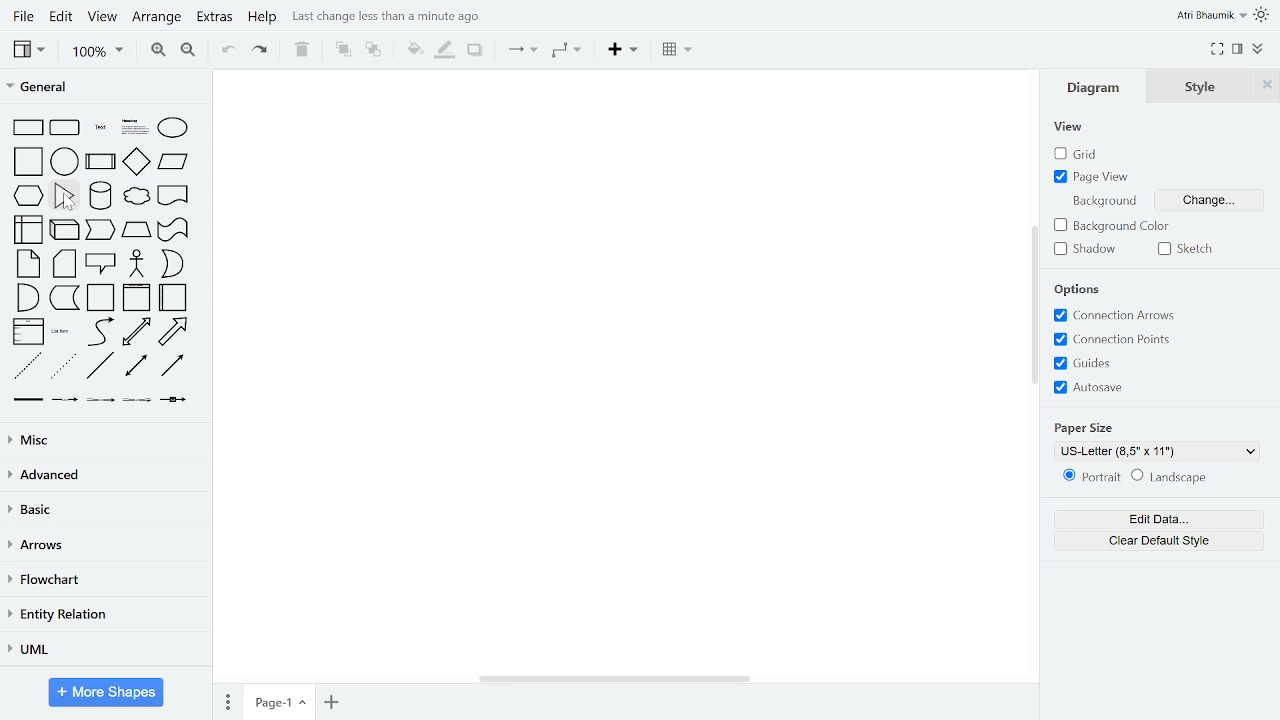  Describe the element at coordinates (100, 368) in the screenshot. I see `line` at that location.